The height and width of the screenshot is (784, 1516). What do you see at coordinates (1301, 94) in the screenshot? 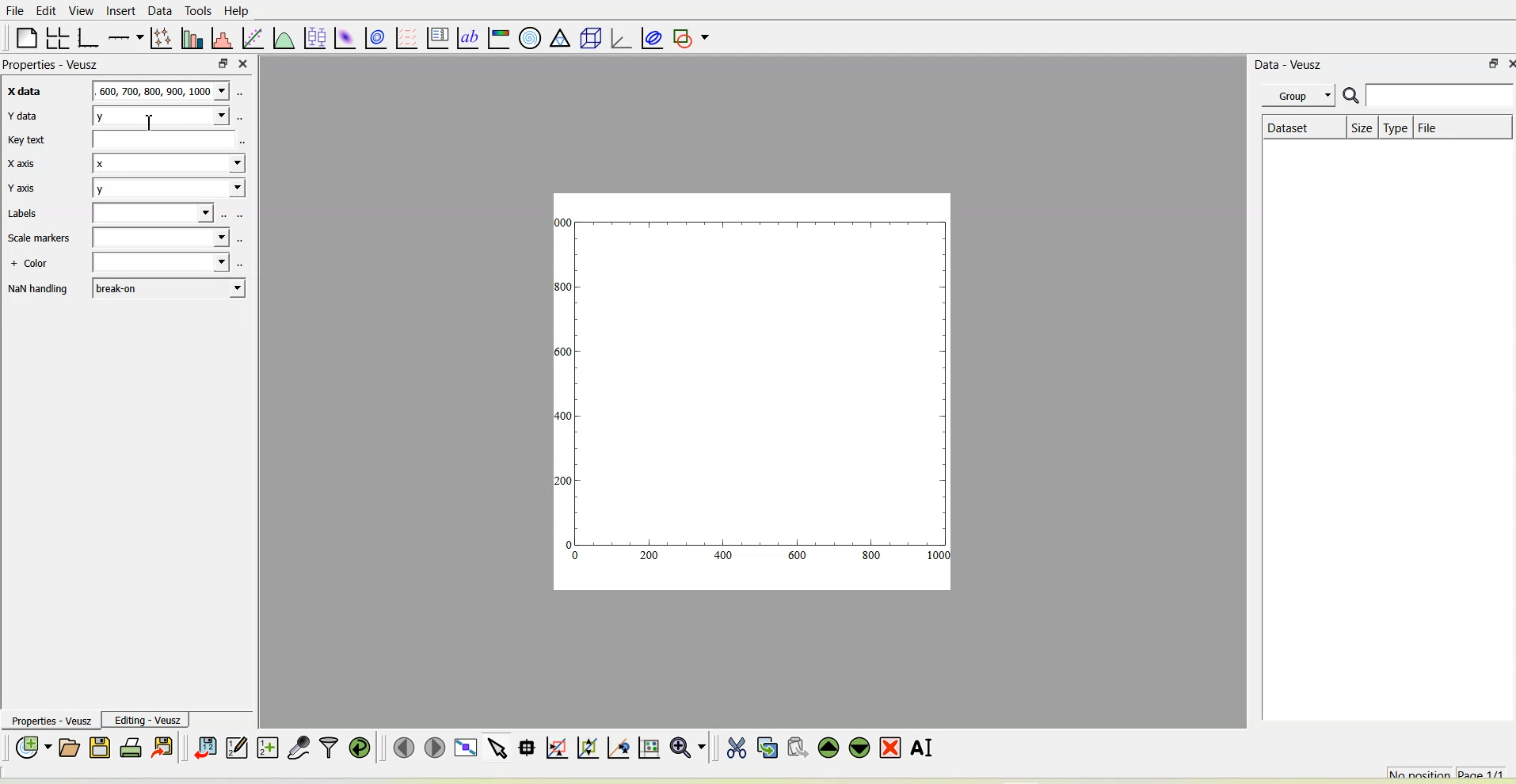
I see `Group` at bounding box center [1301, 94].